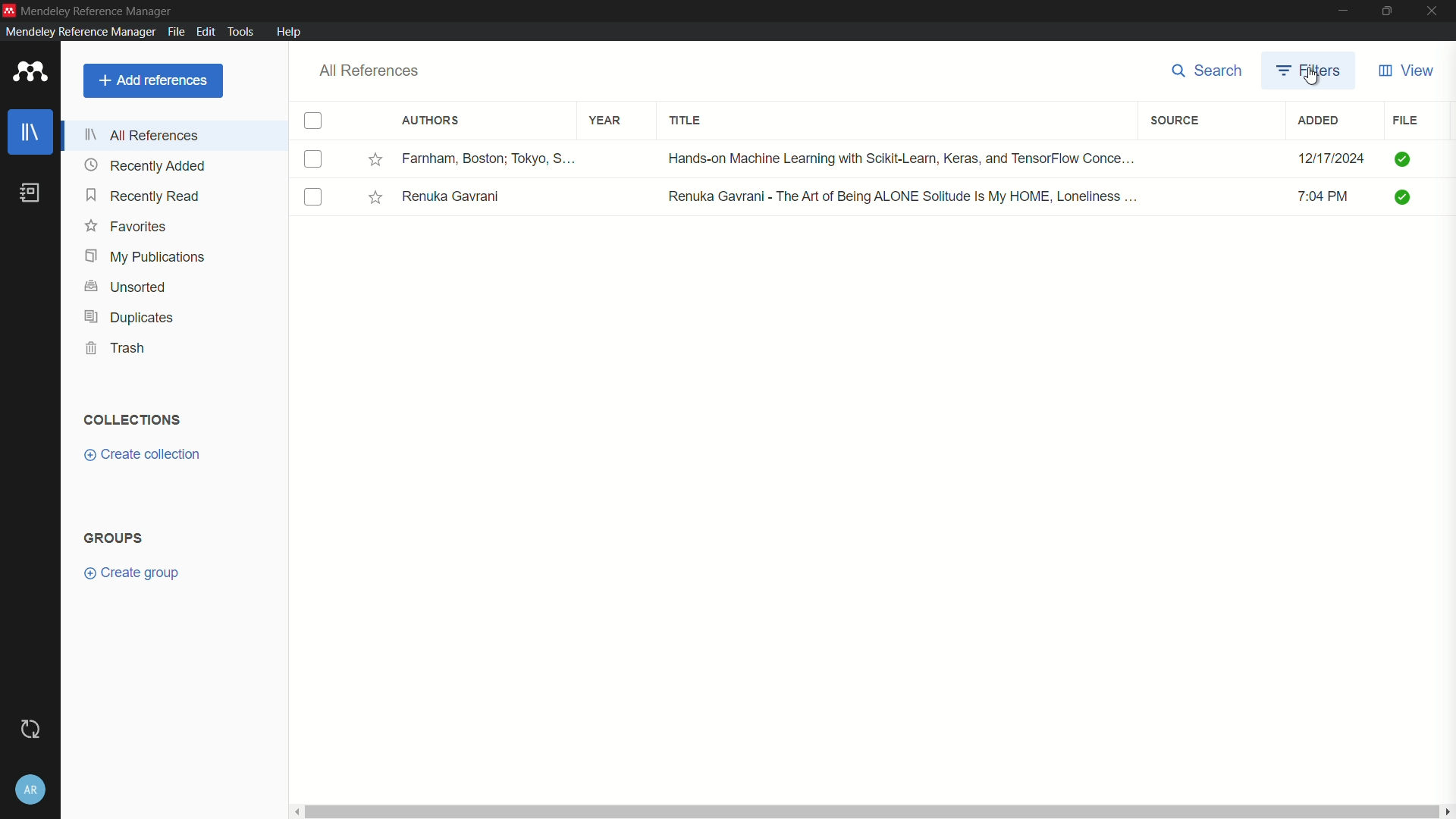 Image resolution: width=1456 pixels, height=819 pixels. Describe the element at coordinates (97, 11) in the screenshot. I see `mendeley reference manager` at that location.